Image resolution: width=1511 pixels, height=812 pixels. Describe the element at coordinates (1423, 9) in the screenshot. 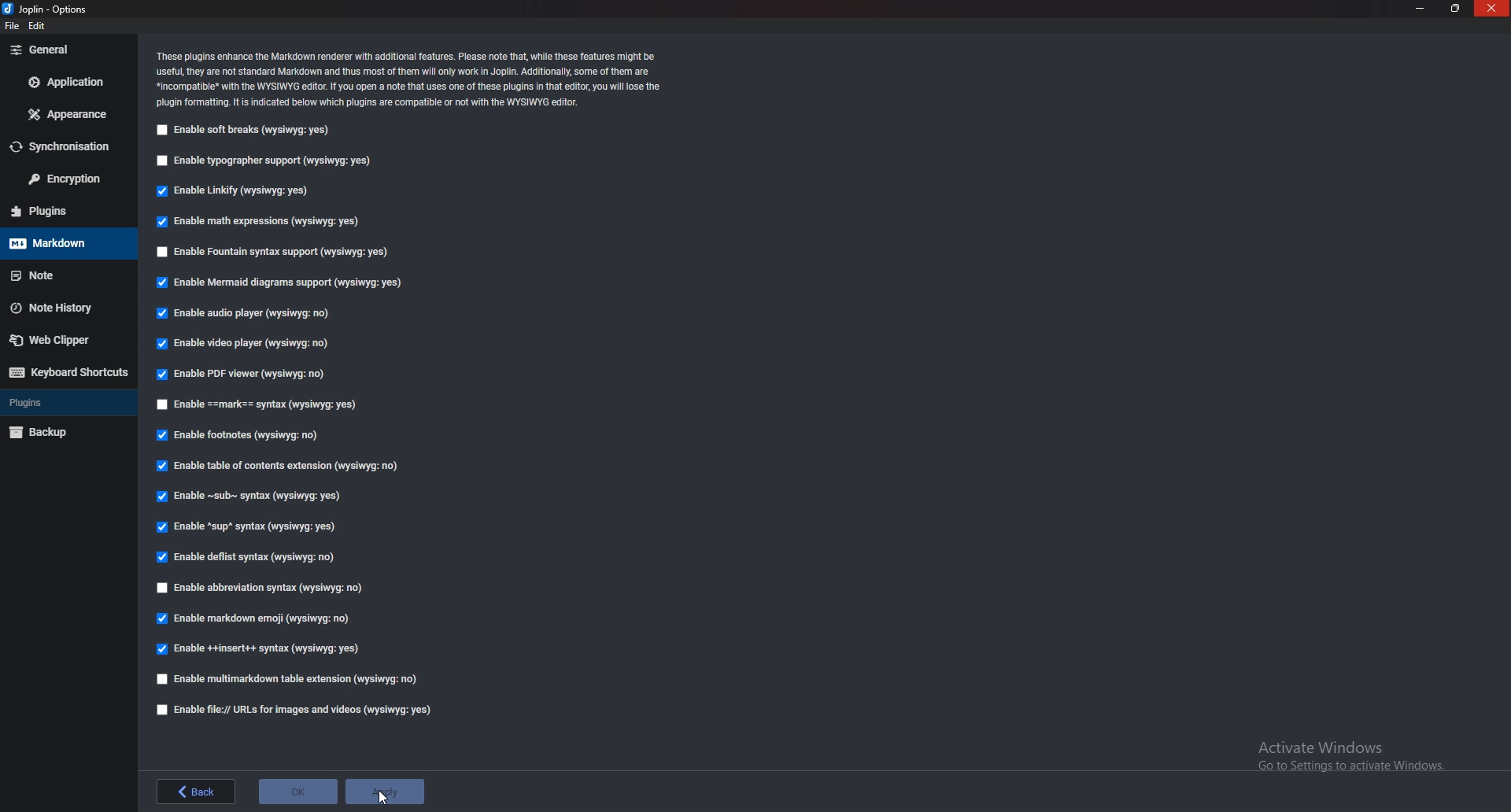

I see `minimize` at that location.